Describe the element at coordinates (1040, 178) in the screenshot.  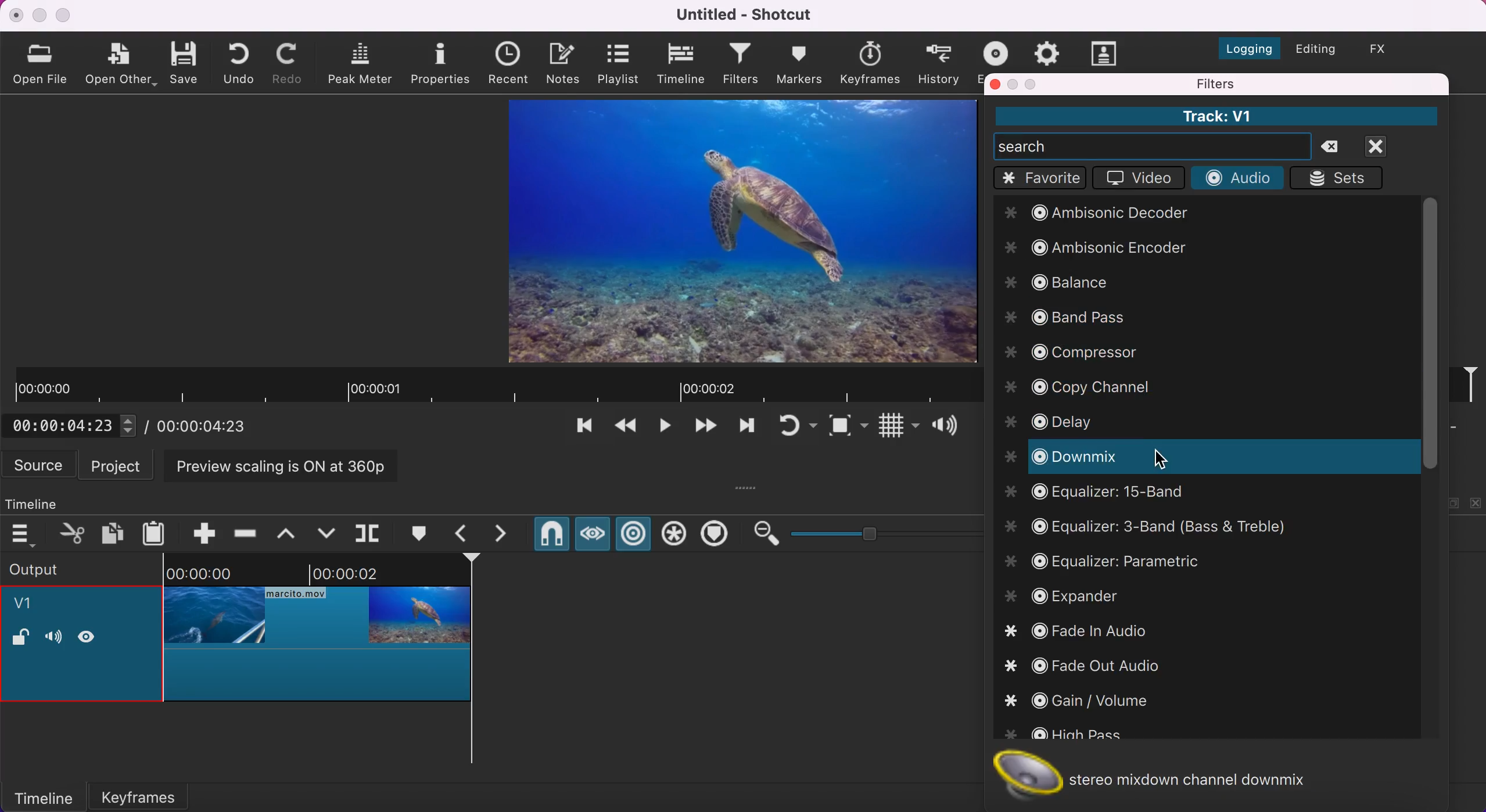
I see `favorite` at that location.